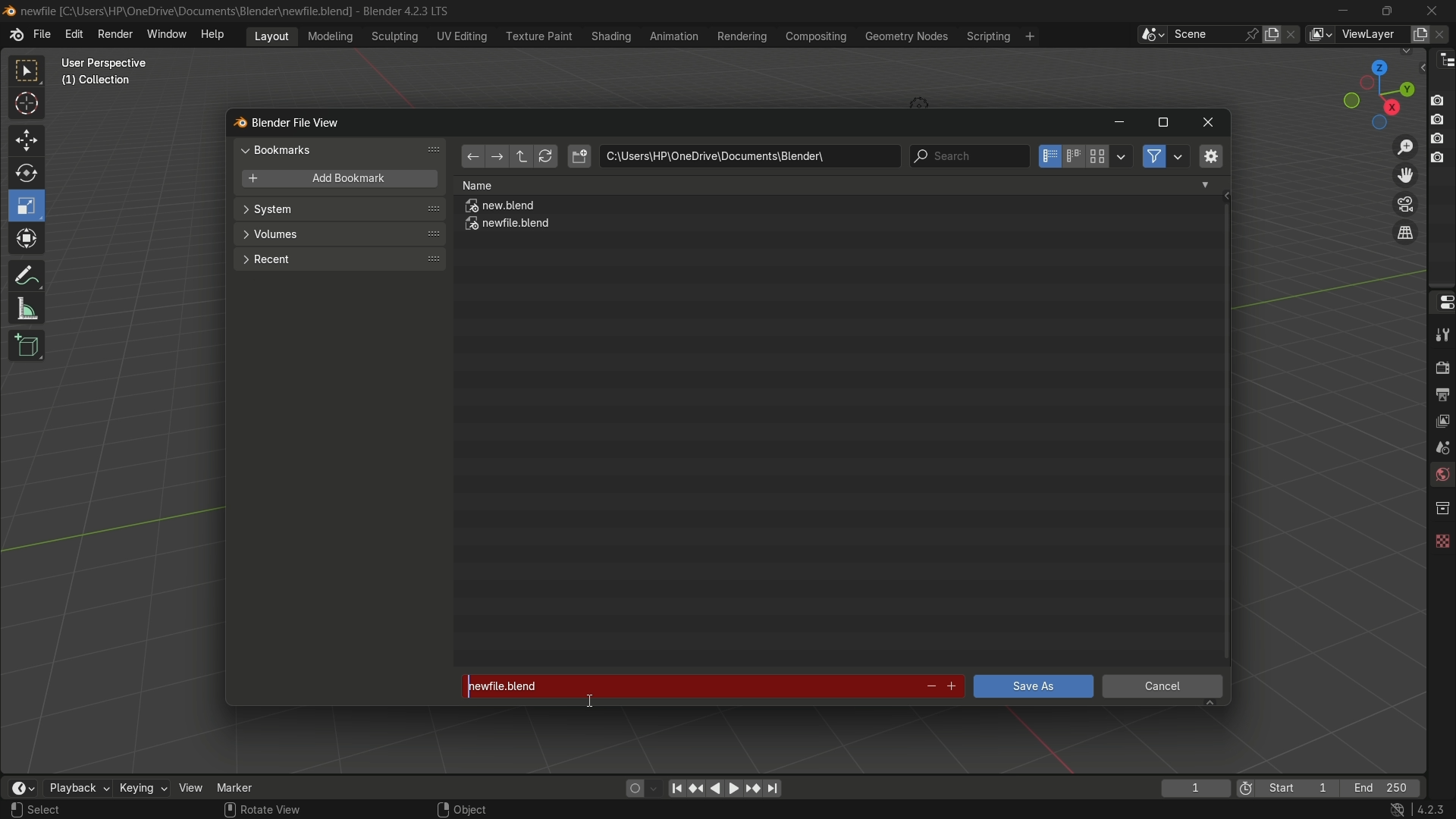 Image resolution: width=1456 pixels, height=819 pixels. I want to click on scale, so click(29, 206).